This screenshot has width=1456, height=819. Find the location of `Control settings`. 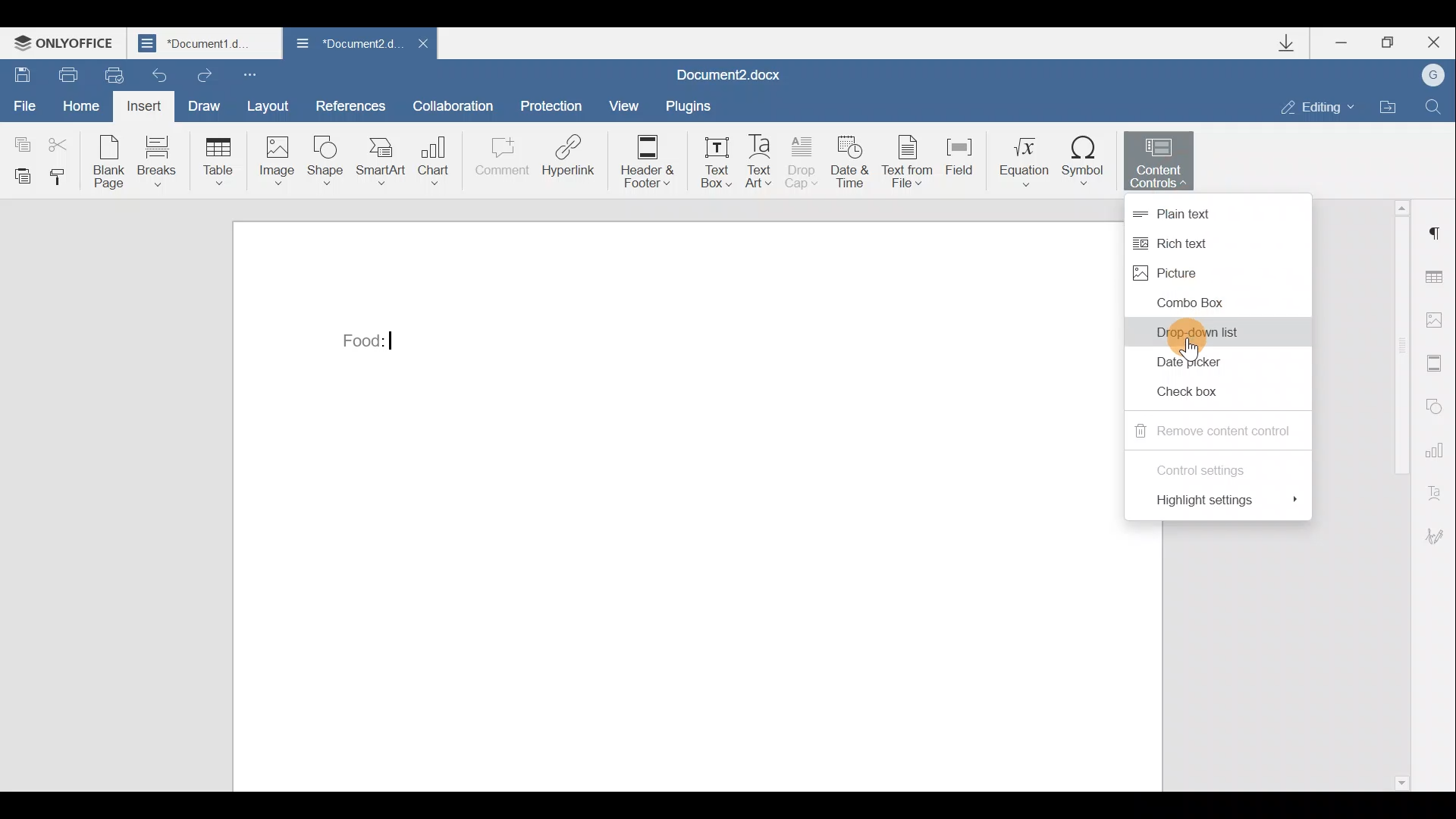

Control settings is located at coordinates (1216, 467).